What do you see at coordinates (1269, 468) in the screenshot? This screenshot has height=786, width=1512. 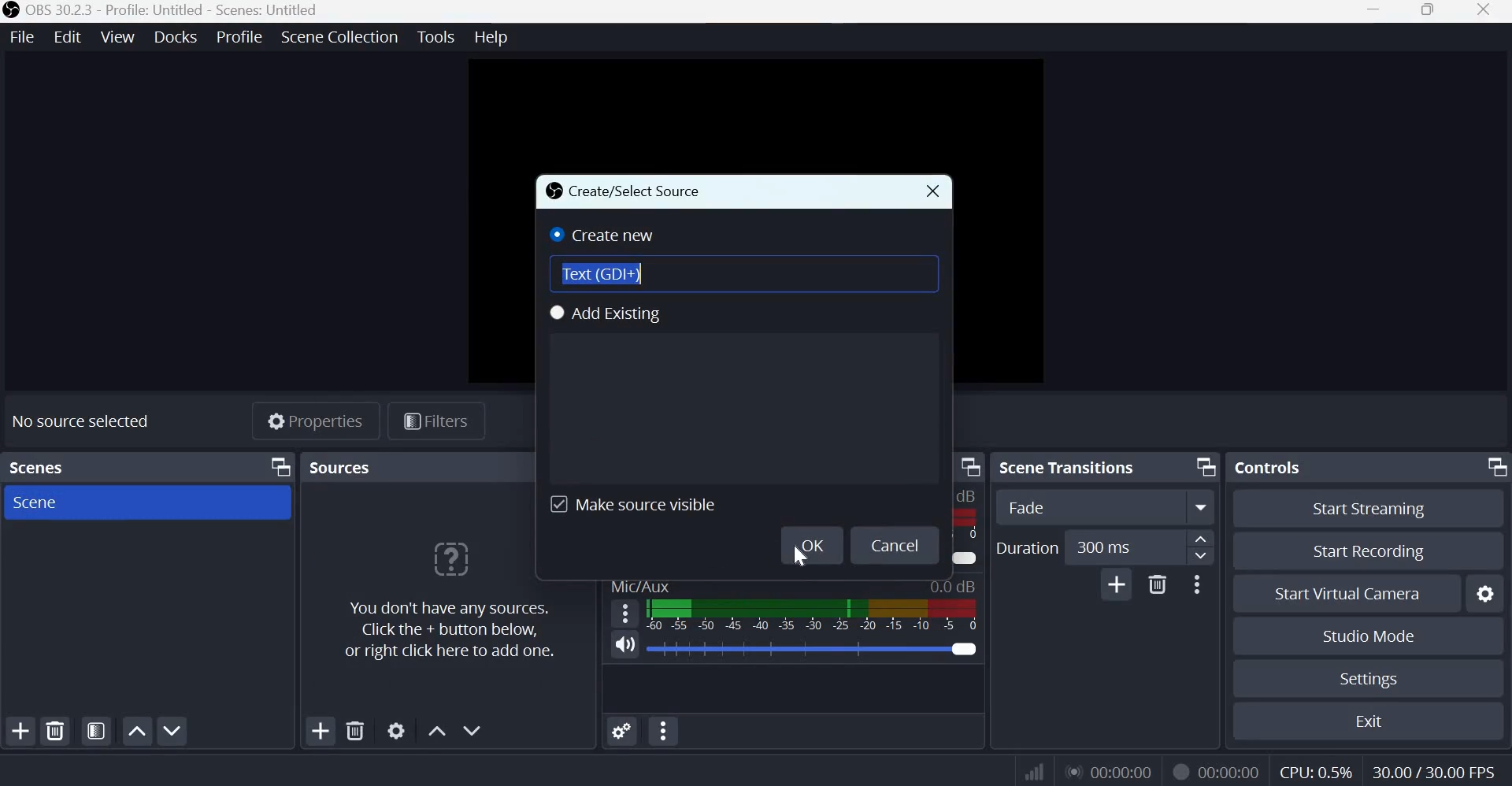 I see `Controls` at bounding box center [1269, 468].